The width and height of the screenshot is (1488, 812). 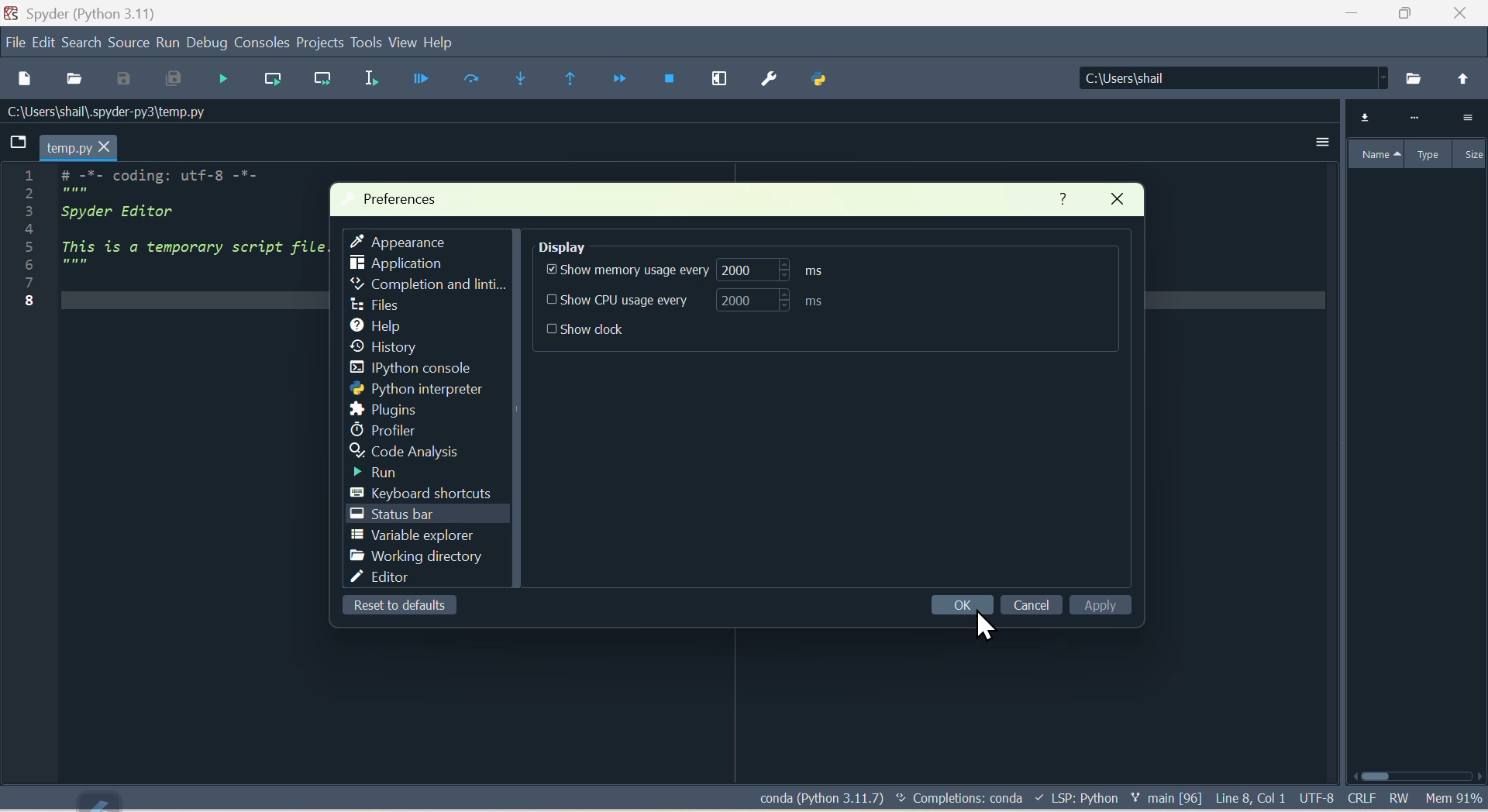 I want to click on New files, so click(x=24, y=77).